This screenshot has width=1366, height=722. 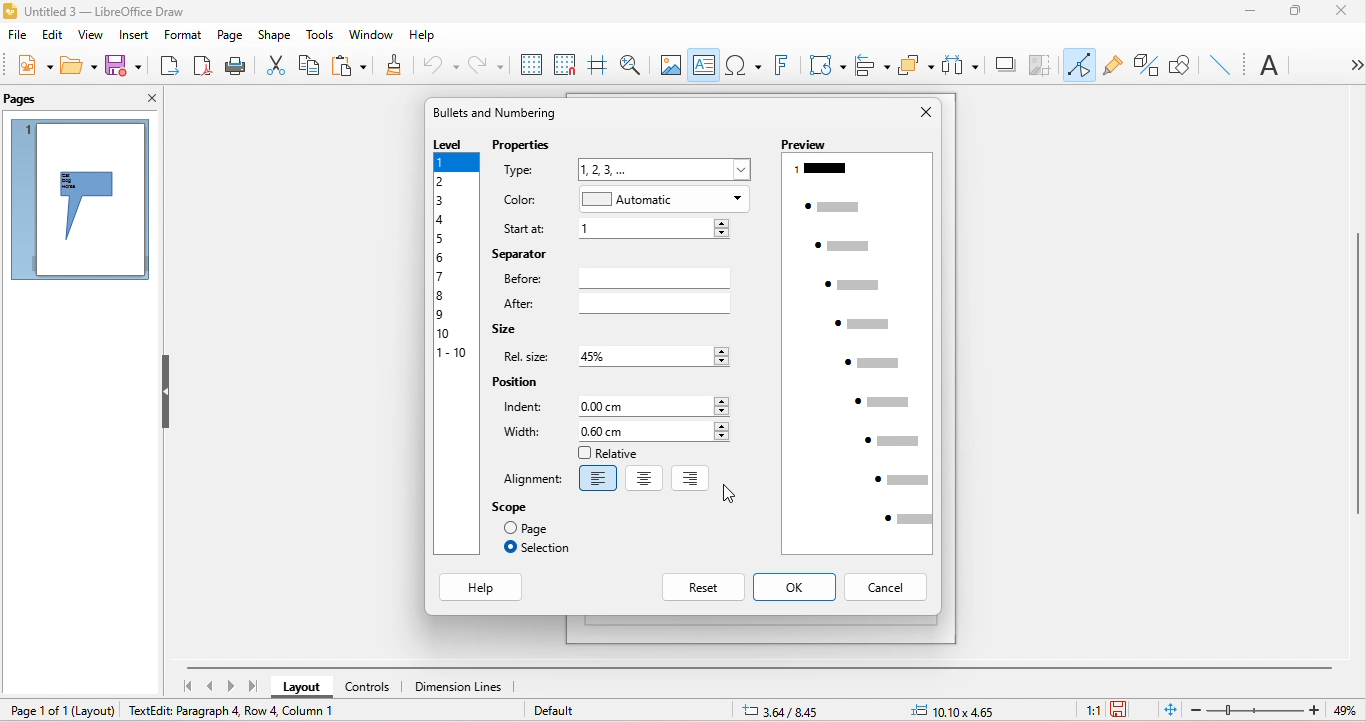 What do you see at coordinates (798, 588) in the screenshot?
I see `ok` at bounding box center [798, 588].